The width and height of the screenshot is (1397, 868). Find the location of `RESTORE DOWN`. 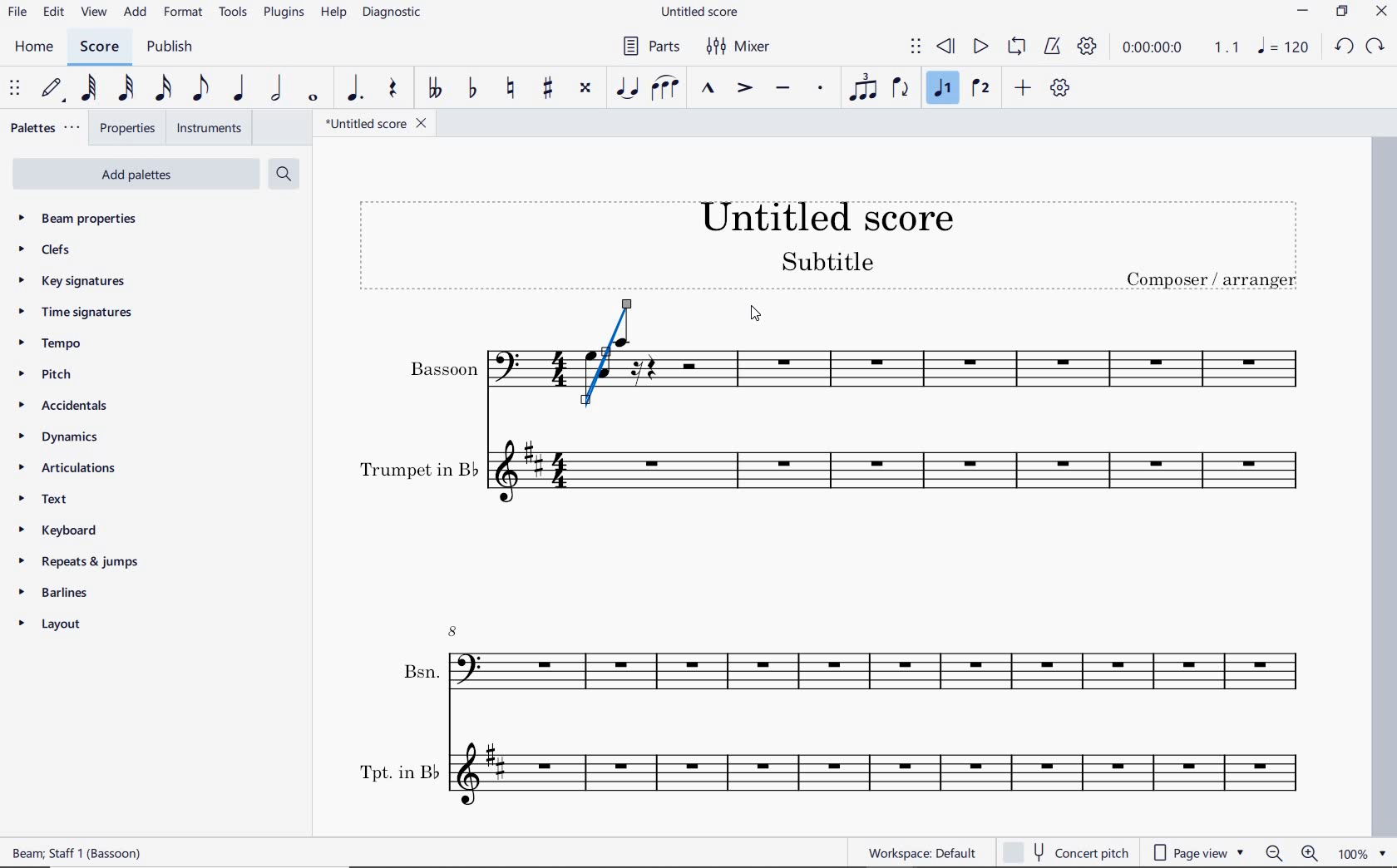

RESTORE DOWN is located at coordinates (1341, 11).